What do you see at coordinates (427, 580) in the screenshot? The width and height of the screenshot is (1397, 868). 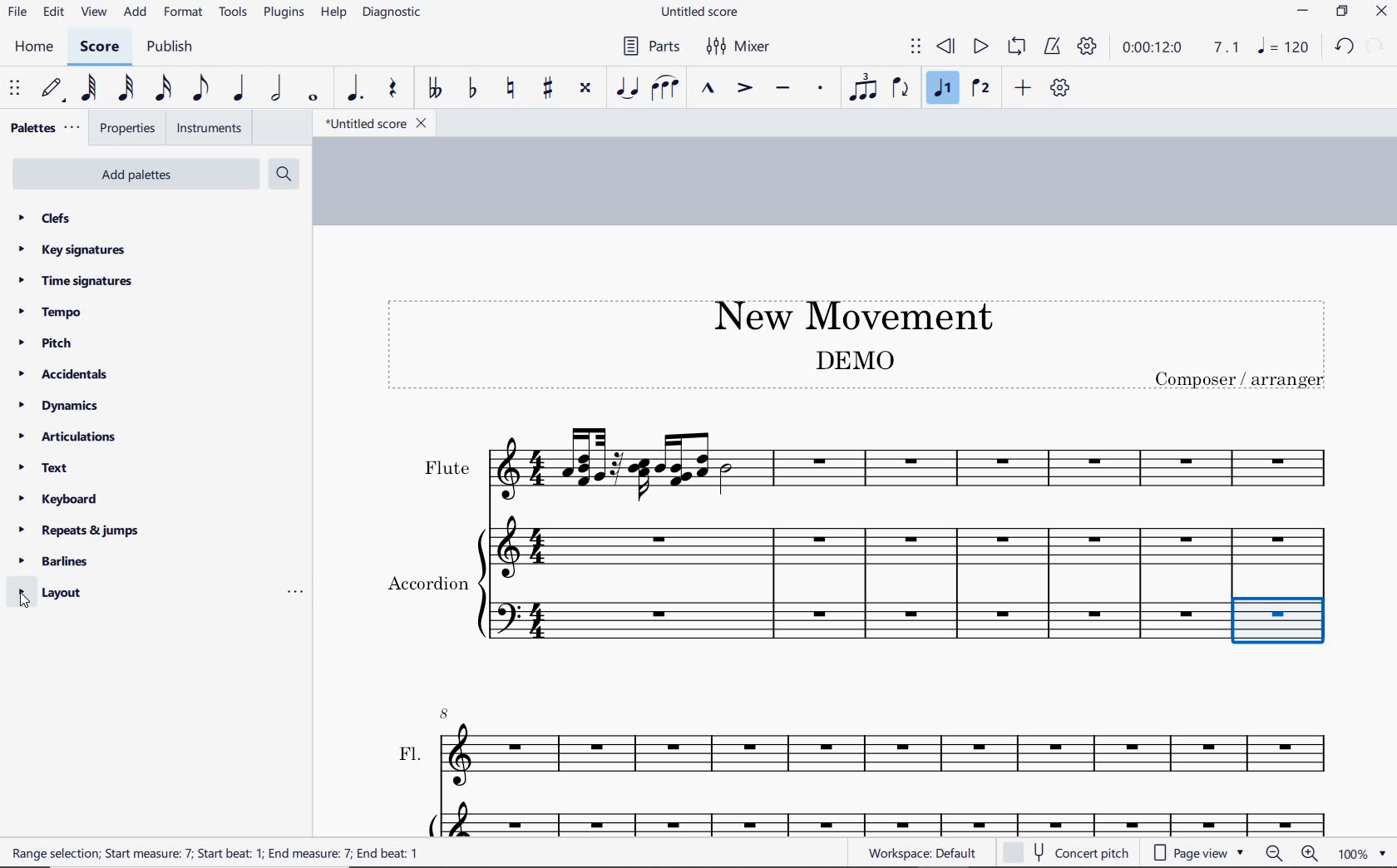 I see `text` at bounding box center [427, 580].